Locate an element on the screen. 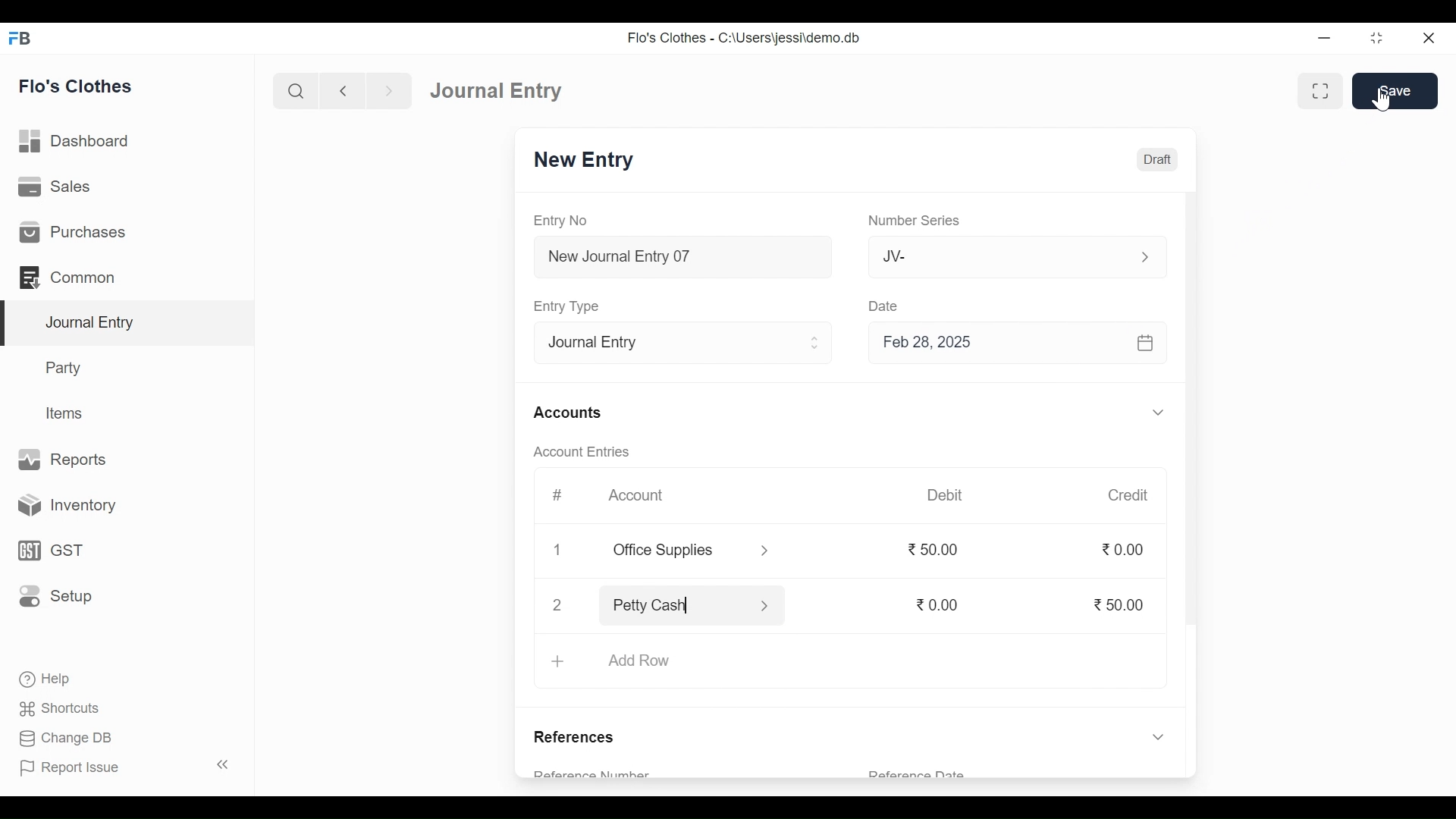 This screenshot has height=819, width=1456. Entry Type is located at coordinates (670, 344).